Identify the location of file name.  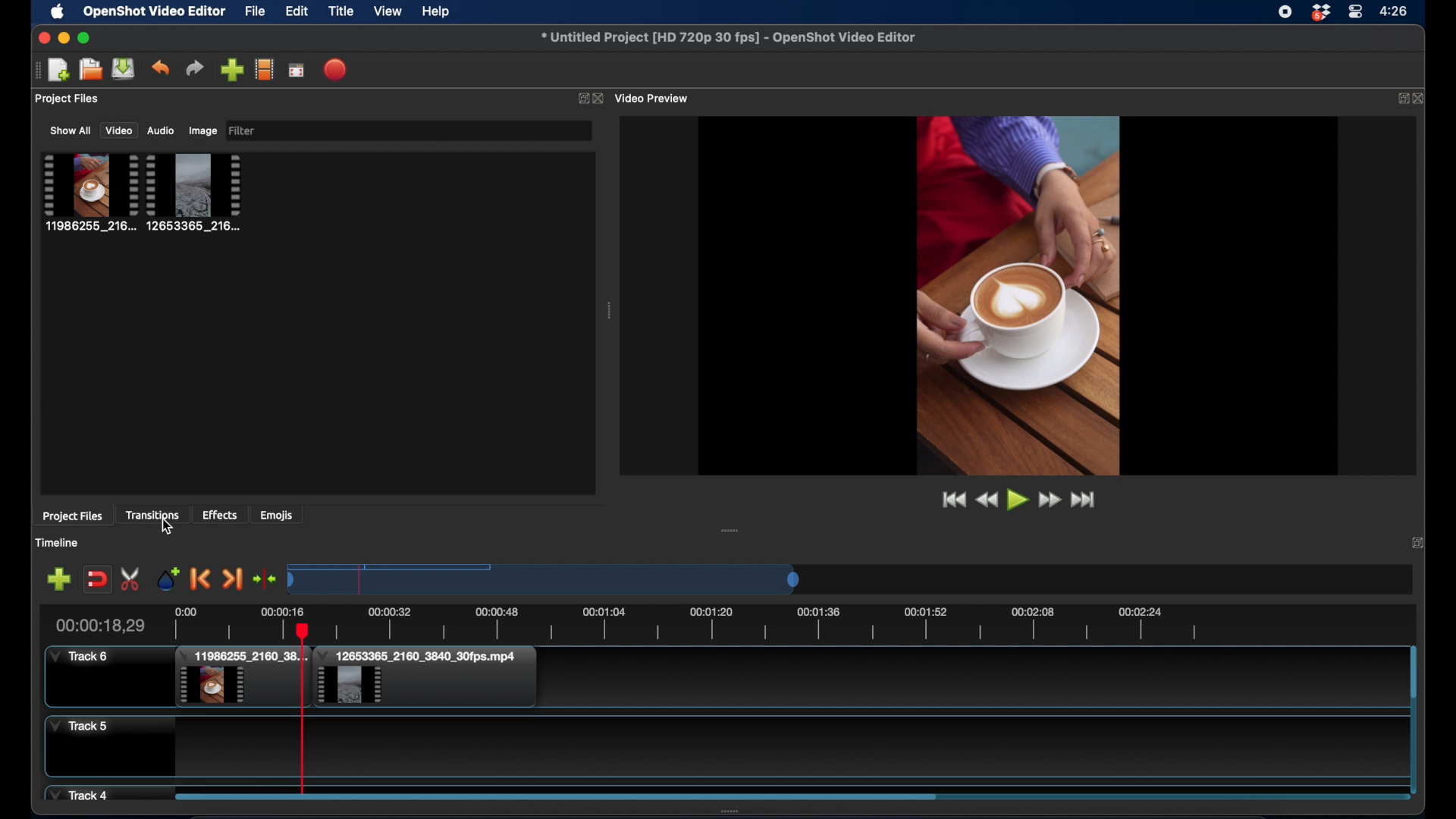
(730, 38).